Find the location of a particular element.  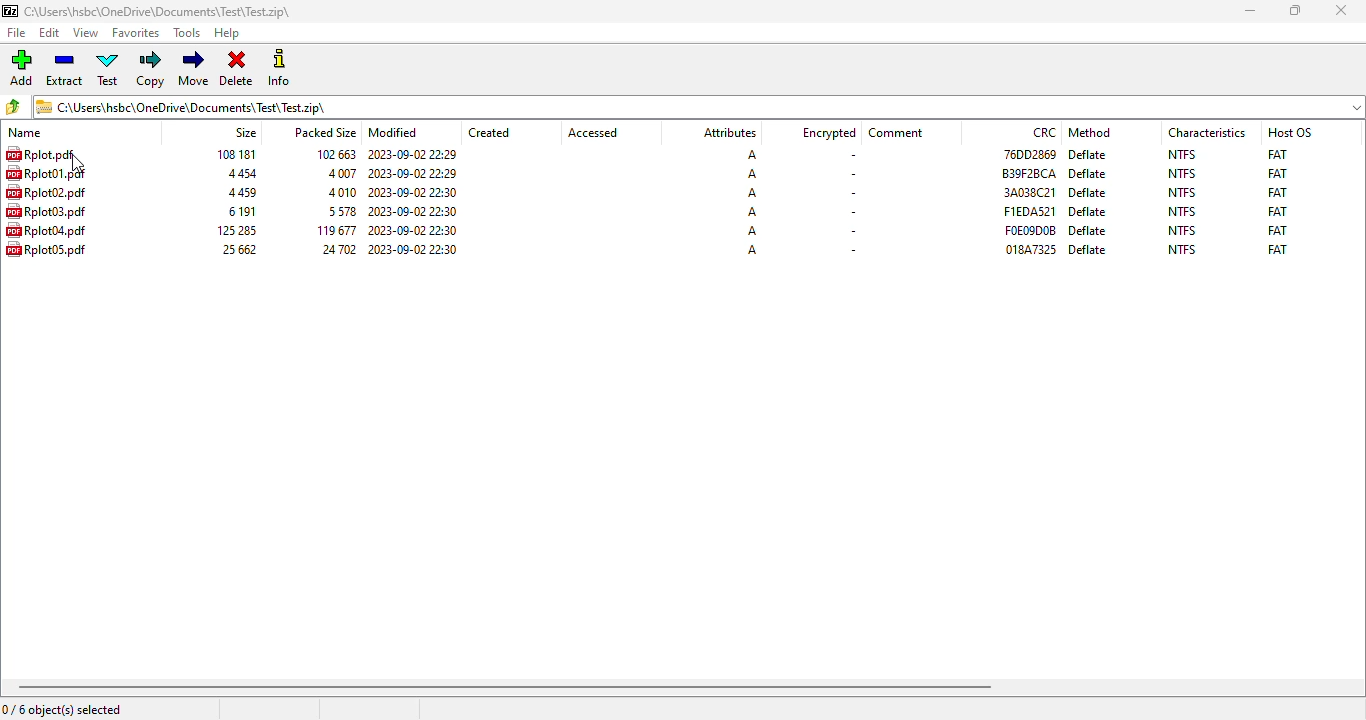

file is located at coordinates (46, 211).